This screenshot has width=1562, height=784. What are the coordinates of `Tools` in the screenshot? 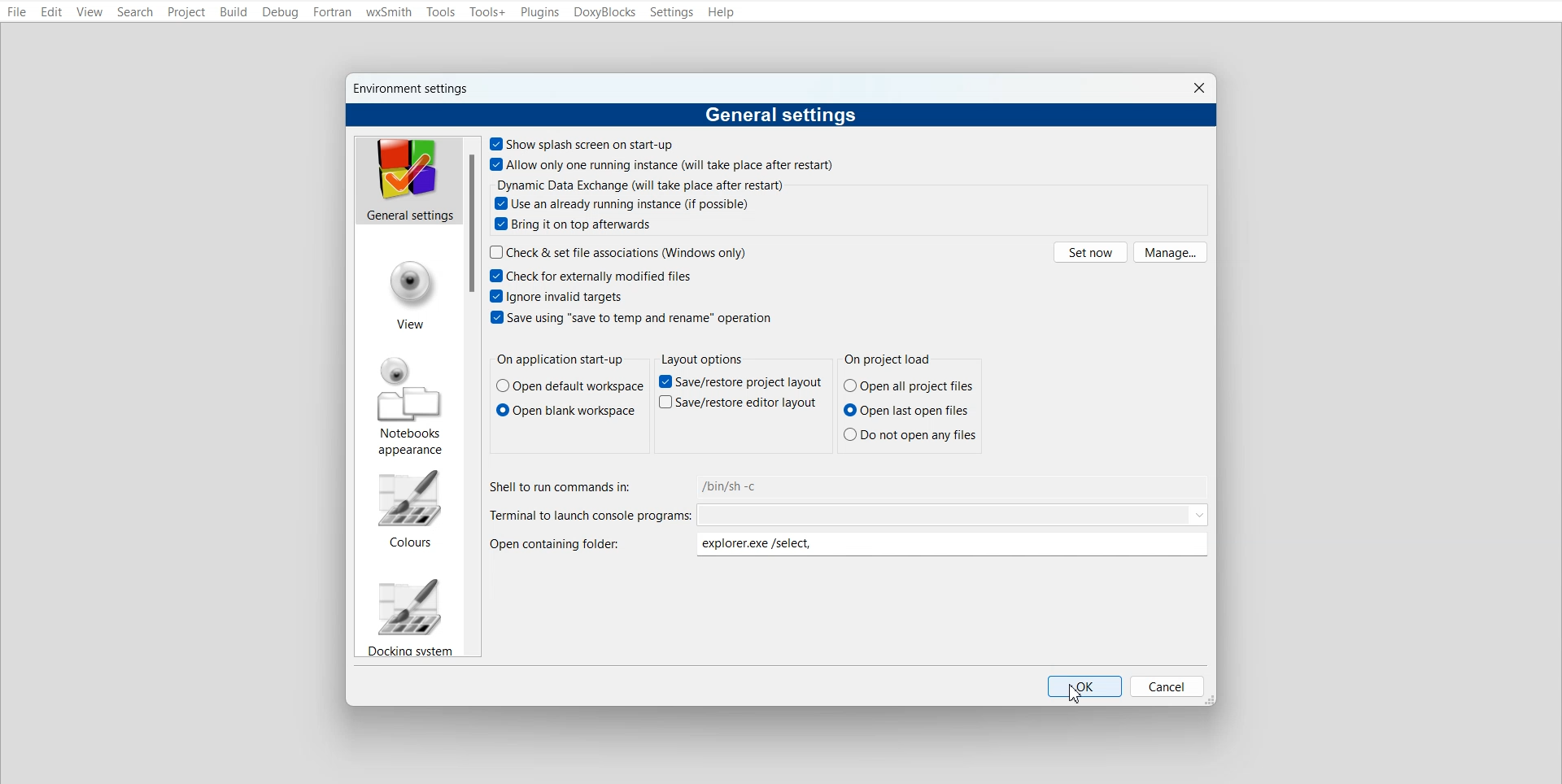 It's located at (442, 12).